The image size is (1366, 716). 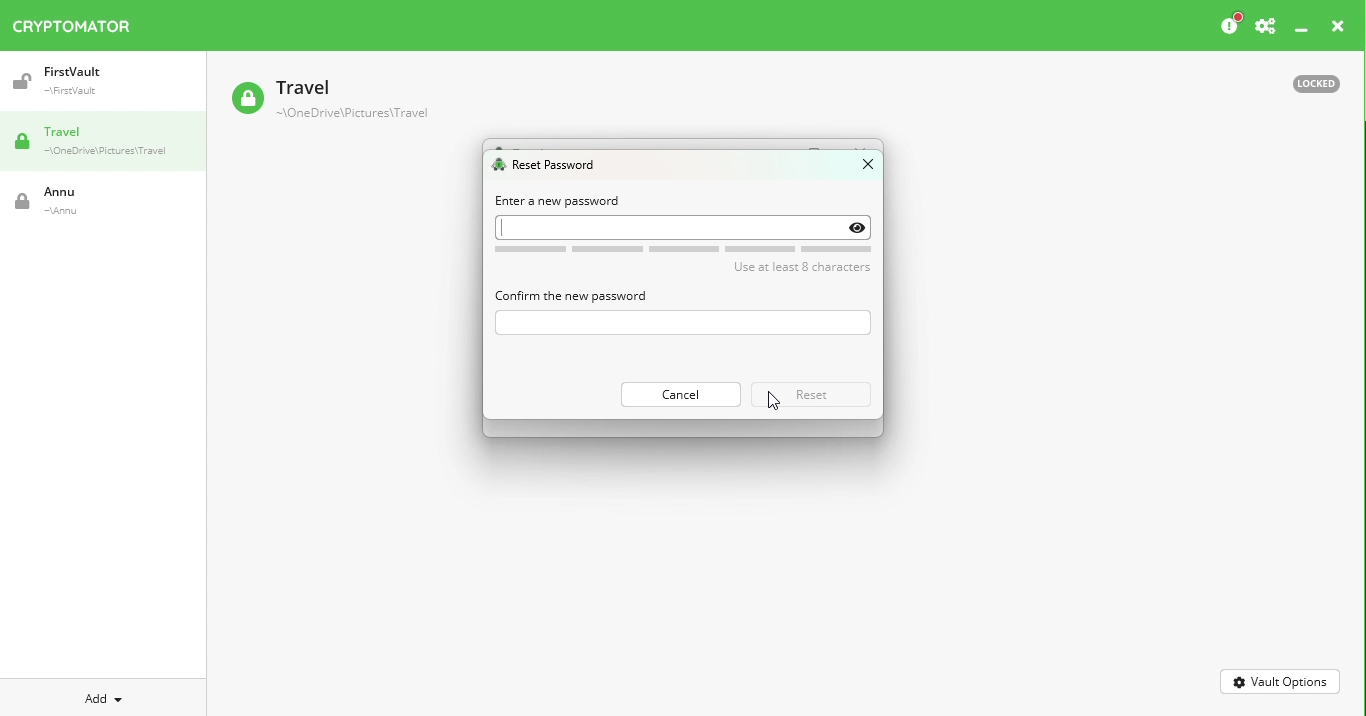 What do you see at coordinates (549, 166) in the screenshot?
I see `Reset password` at bounding box center [549, 166].